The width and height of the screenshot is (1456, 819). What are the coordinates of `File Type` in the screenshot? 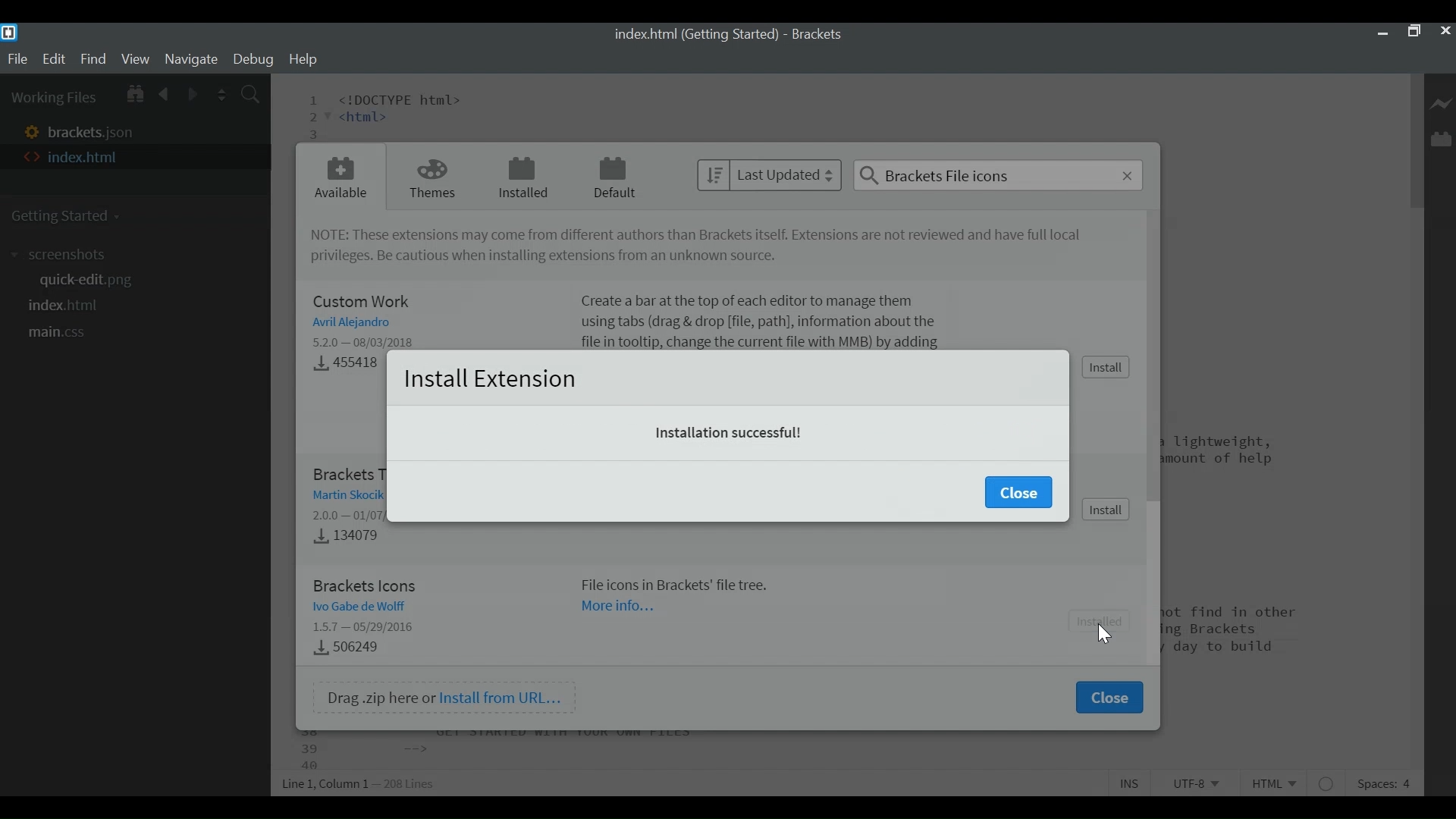 It's located at (1278, 781).